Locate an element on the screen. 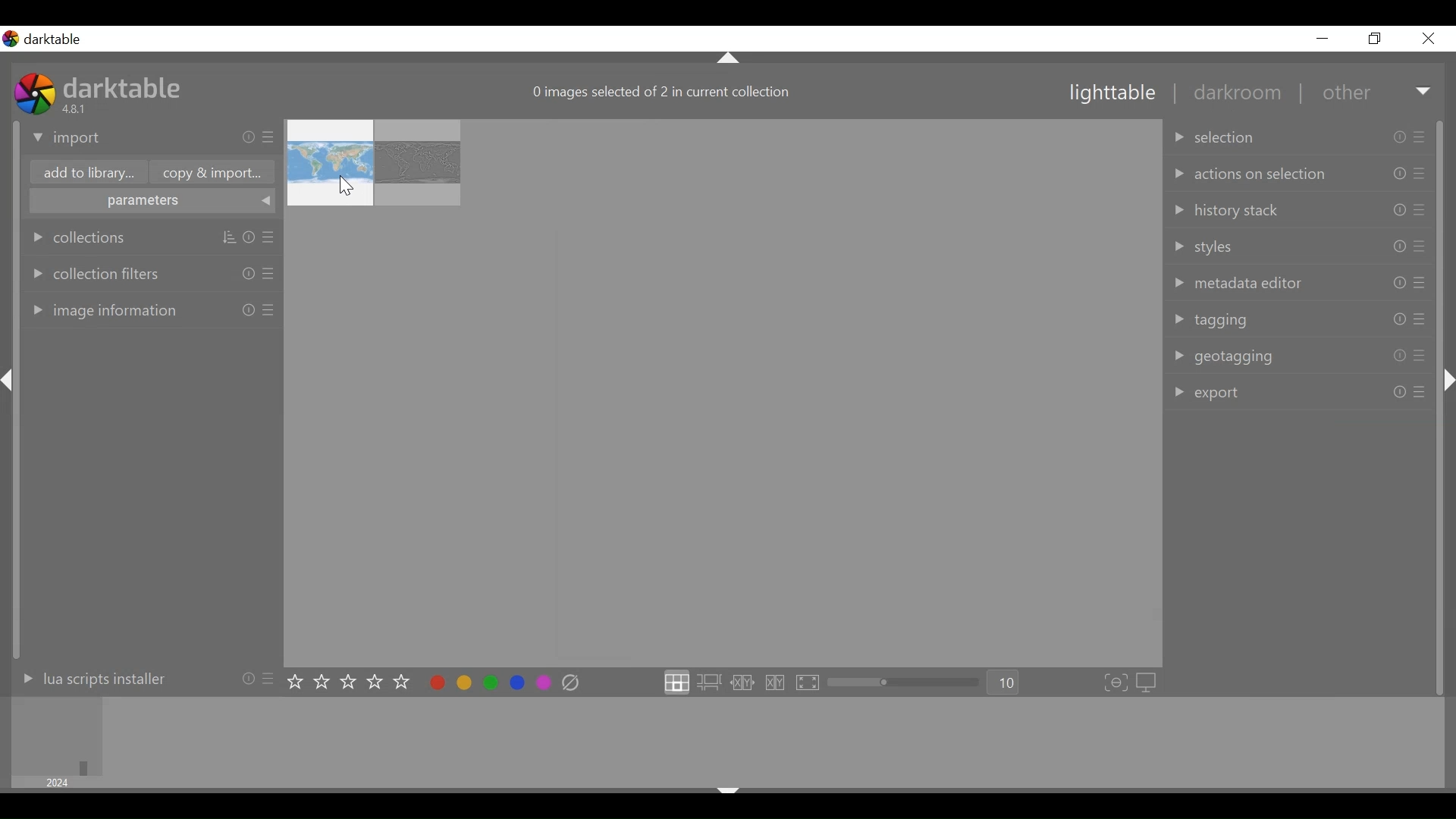 This screenshot has height=819, width=1456. Collapse  is located at coordinates (730, 787).